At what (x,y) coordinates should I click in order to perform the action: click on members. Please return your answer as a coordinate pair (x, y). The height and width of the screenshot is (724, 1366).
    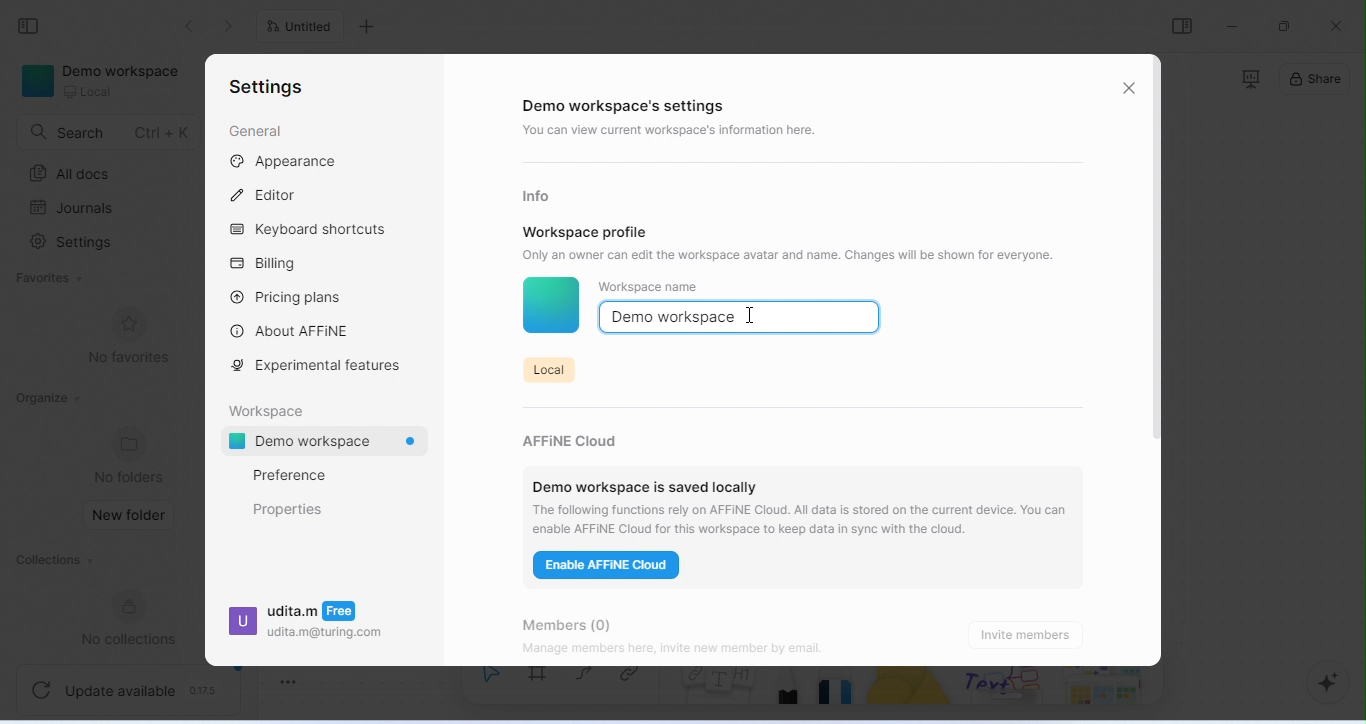
    Looking at the image, I should click on (581, 621).